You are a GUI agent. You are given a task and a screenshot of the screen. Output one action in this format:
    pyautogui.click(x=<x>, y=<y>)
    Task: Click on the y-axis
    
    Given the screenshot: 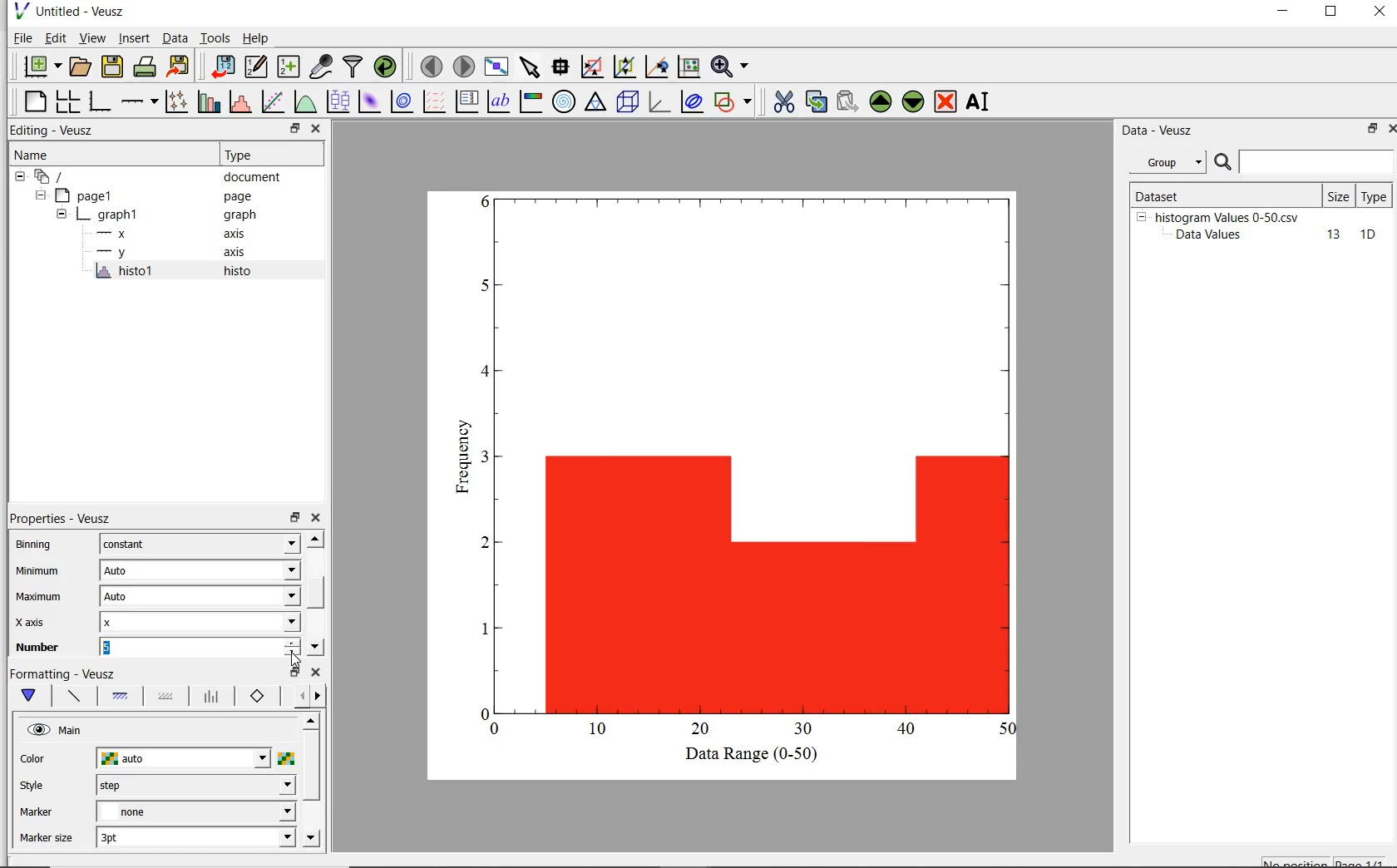 What is the action you would take?
    pyautogui.click(x=115, y=253)
    